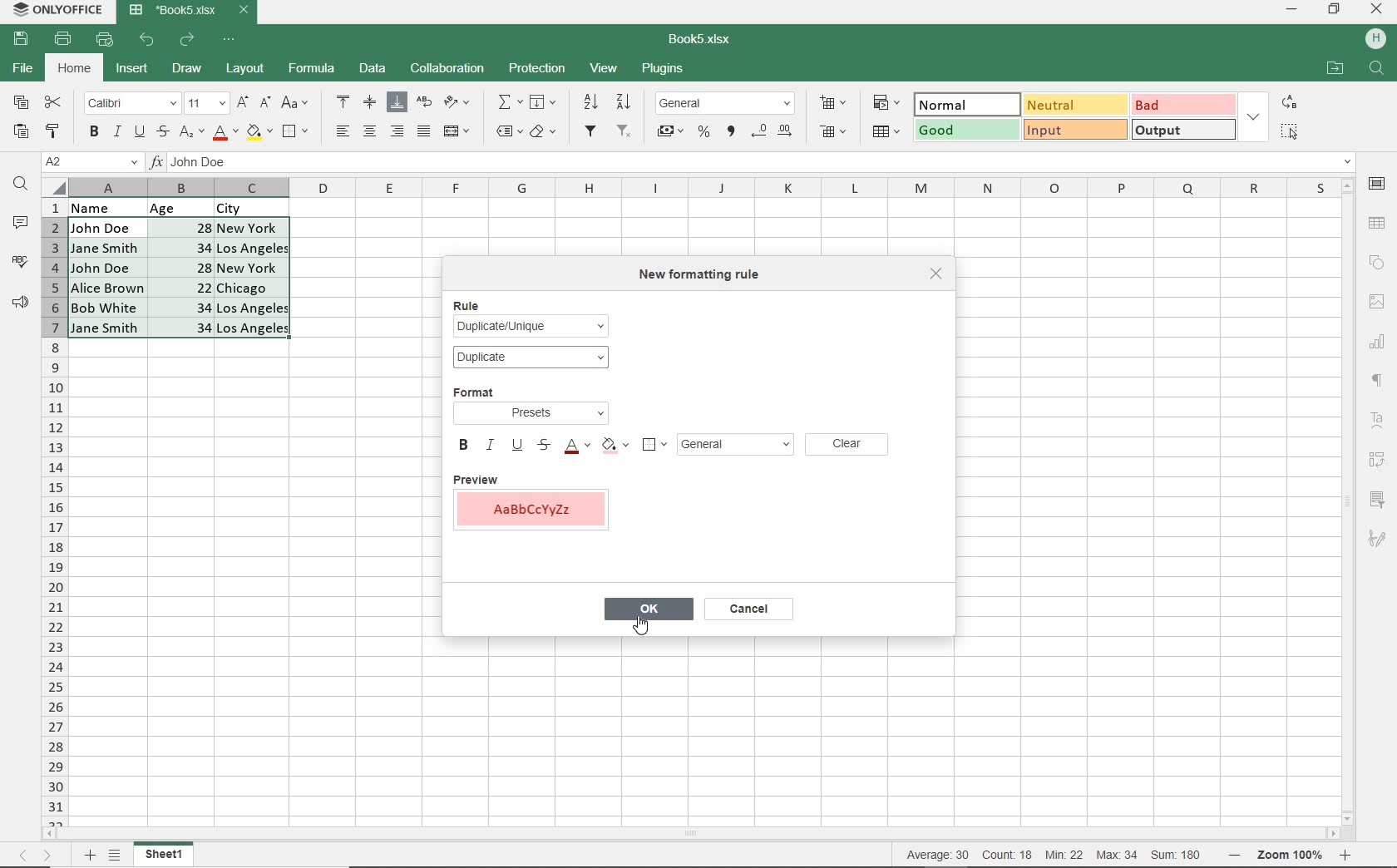 This screenshot has height=868, width=1397. What do you see at coordinates (539, 406) in the screenshot?
I see `FORMAT` at bounding box center [539, 406].